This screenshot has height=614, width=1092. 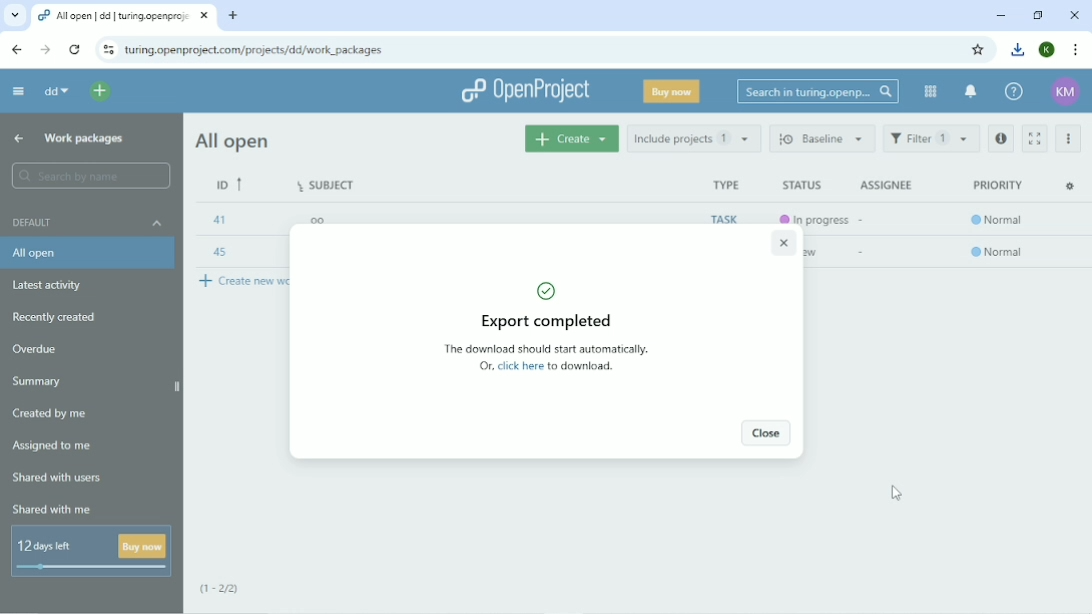 What do you see at coordinates (898, 492) in the screenshot?
I see `Cursor` at bounding box center [898, 492].